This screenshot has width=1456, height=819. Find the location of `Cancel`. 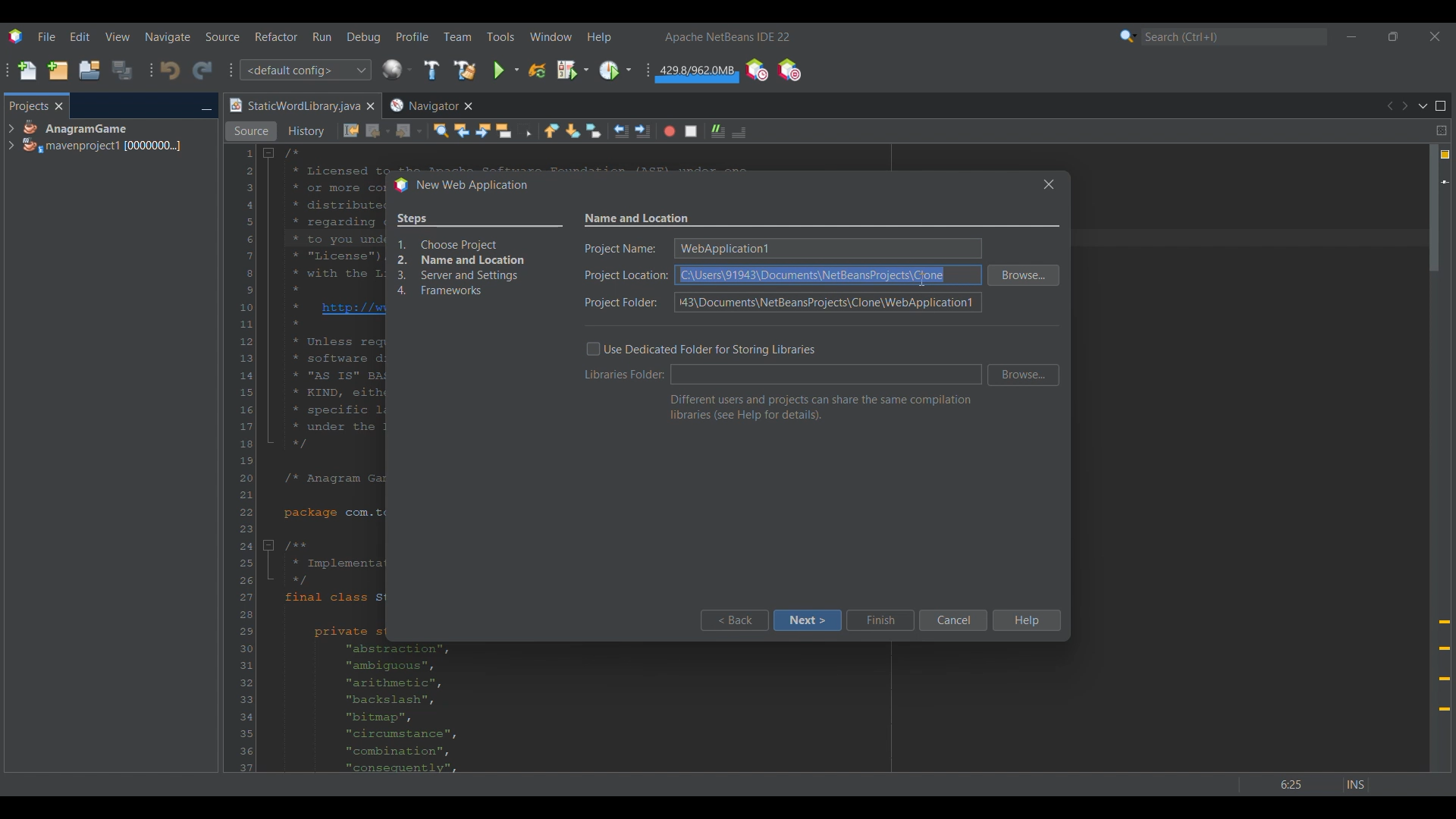

Cancel is located at coordinates (952, 620).